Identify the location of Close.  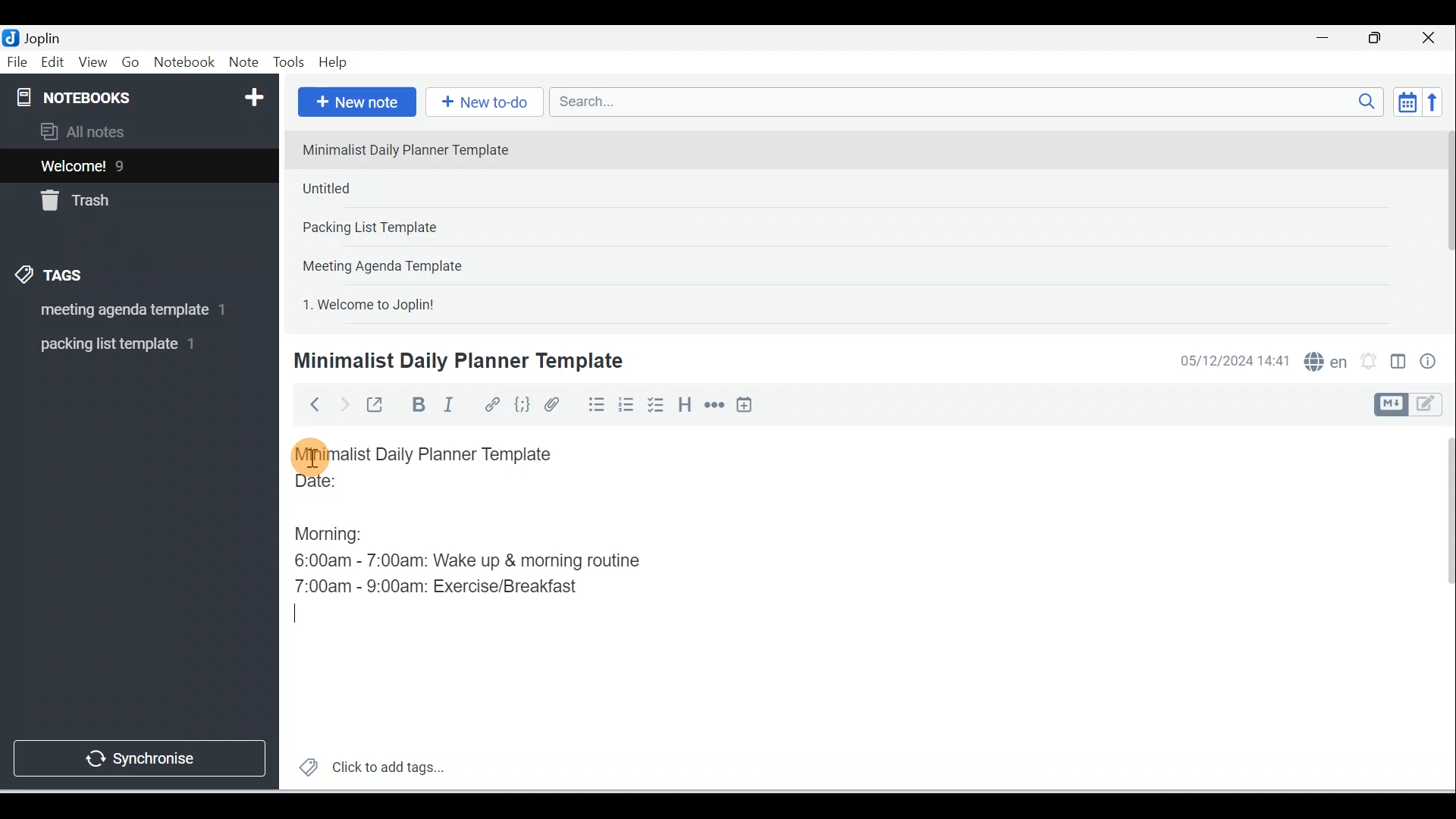
(1432, 38).